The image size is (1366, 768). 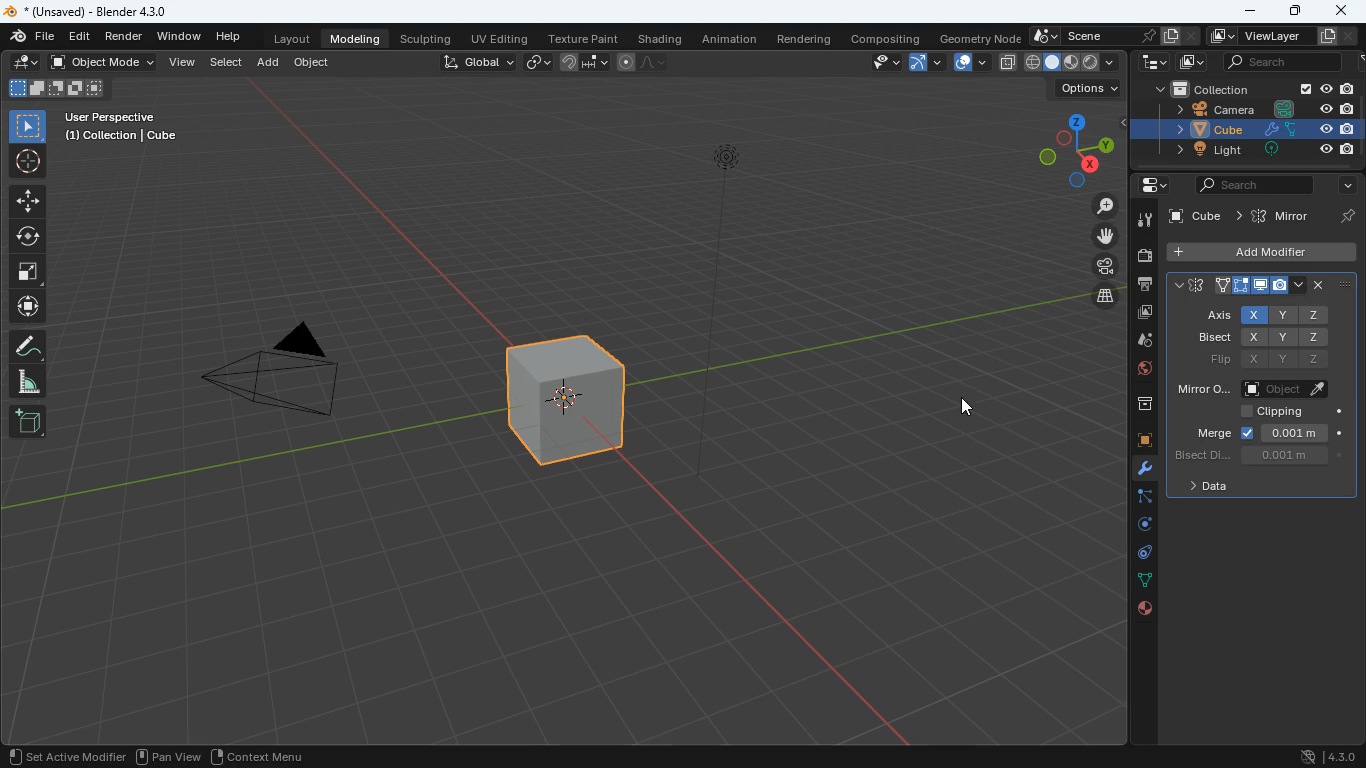 What do you see at coordinates (1144, 314) in the screenshot?
I see `image` at bounding box center [1144, 314].